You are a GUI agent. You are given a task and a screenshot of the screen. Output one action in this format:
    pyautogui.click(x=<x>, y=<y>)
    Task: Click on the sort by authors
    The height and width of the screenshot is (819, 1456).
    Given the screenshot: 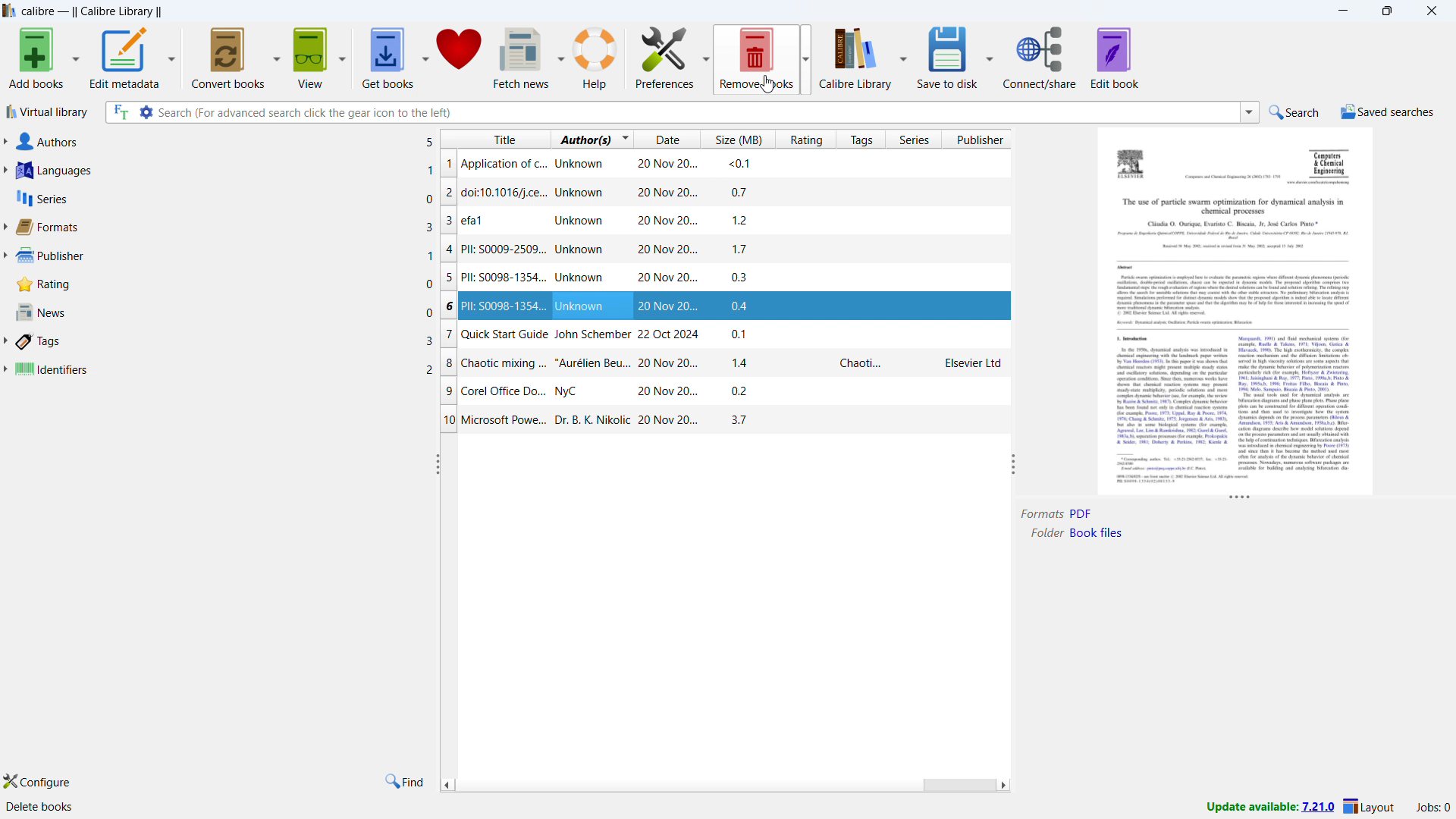 What is the action you would take?
    pyautogui.click(x=583, y=139)
    